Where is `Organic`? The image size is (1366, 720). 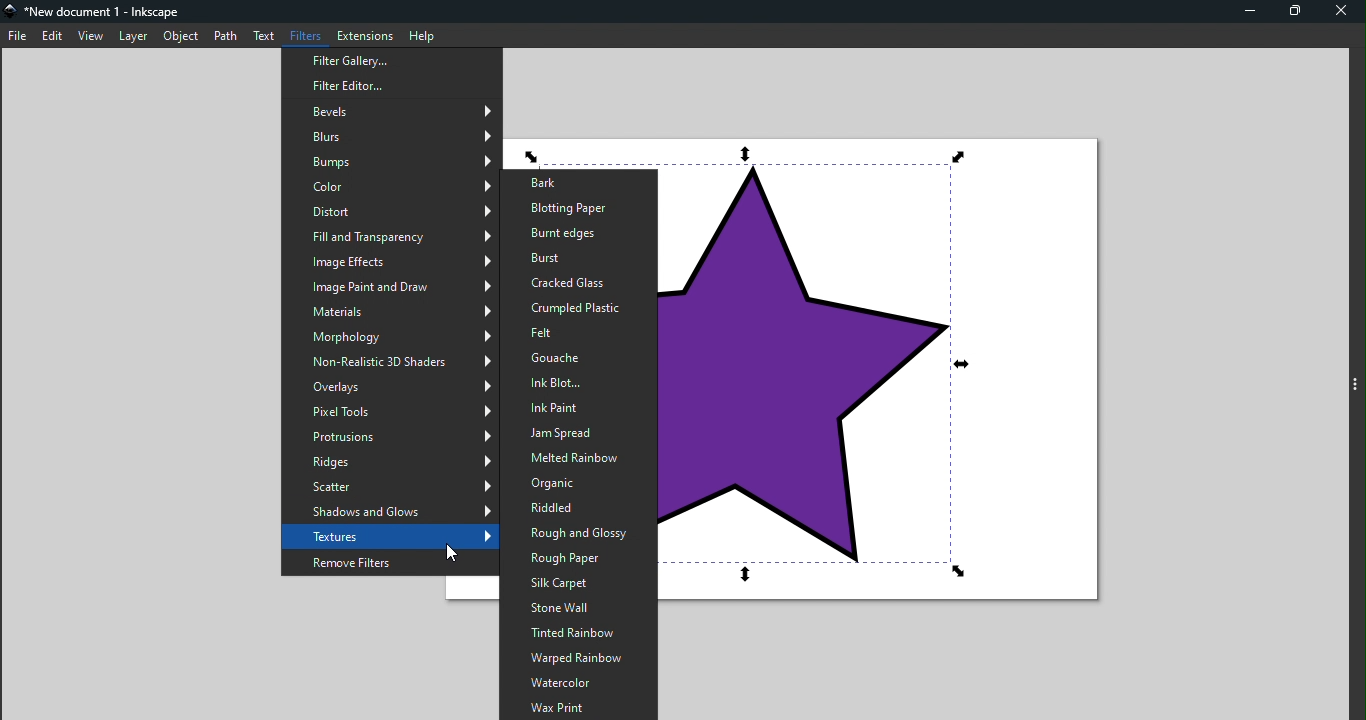
Organic is located at coordinates (575, 483).